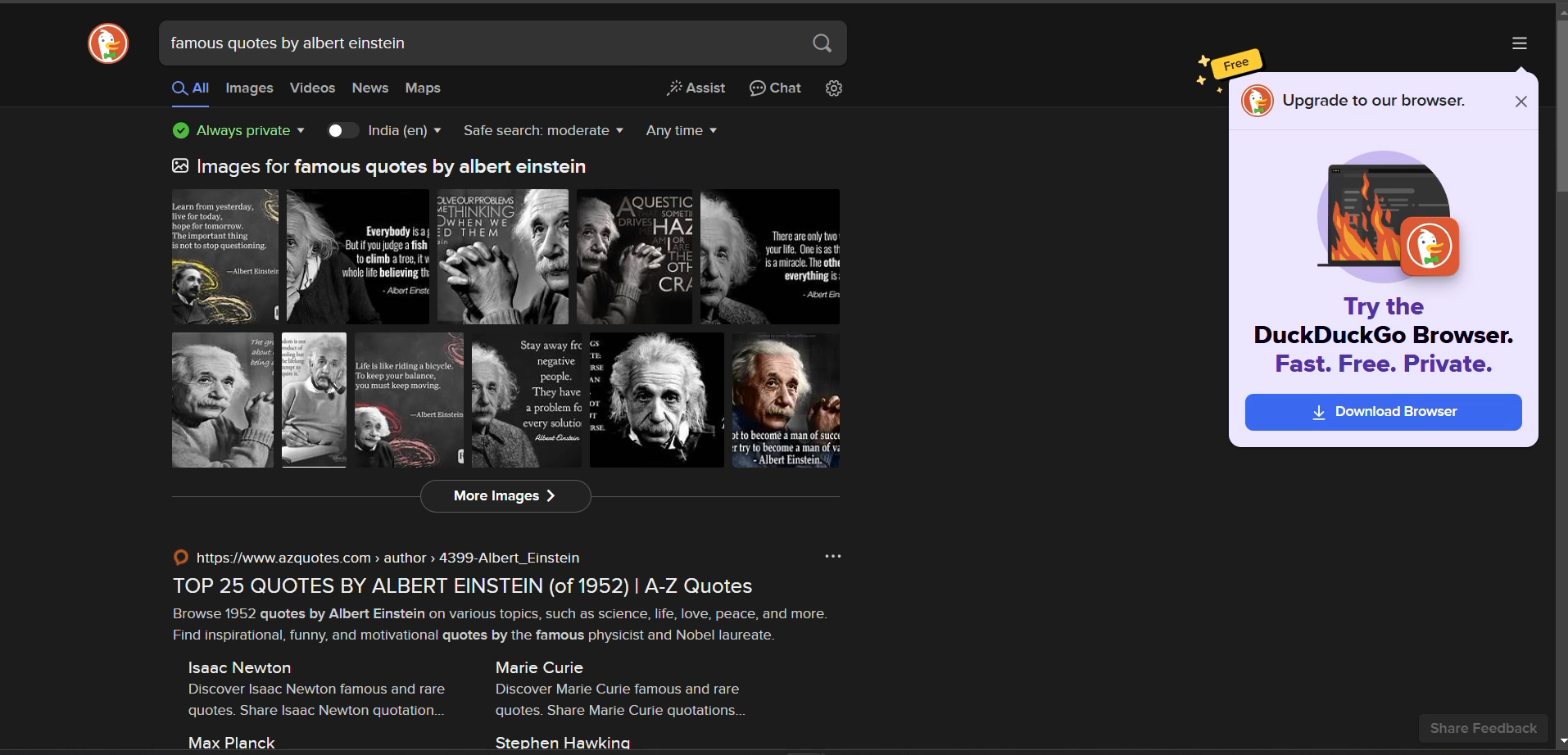 This screenshot has height=755, width=1568. What do you see at coordinates (1236, 65) in the screenshot?
I see `Free` at bounding box center [1236, 65].